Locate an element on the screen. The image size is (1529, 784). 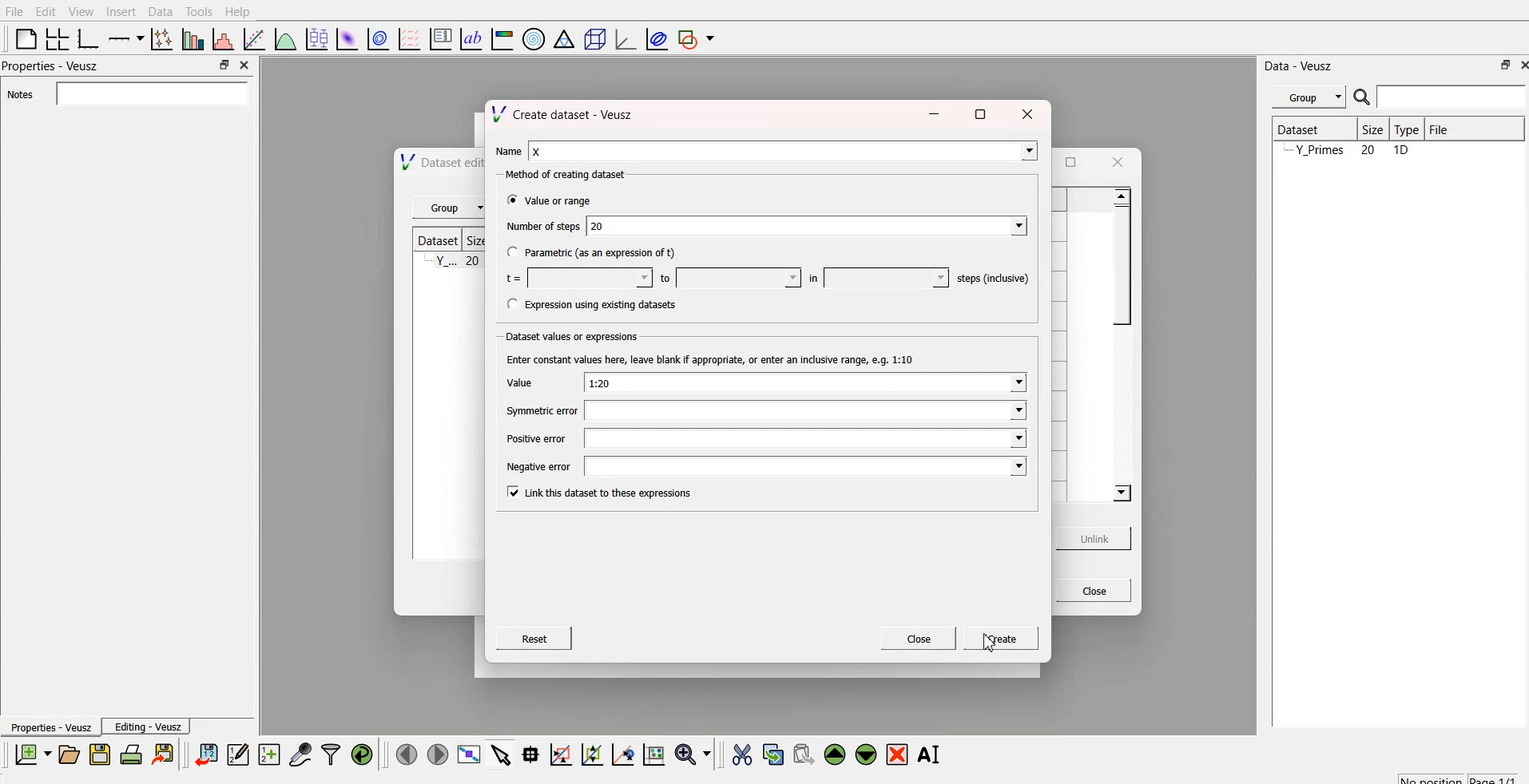
search bar is located at coordinates (149, 93).